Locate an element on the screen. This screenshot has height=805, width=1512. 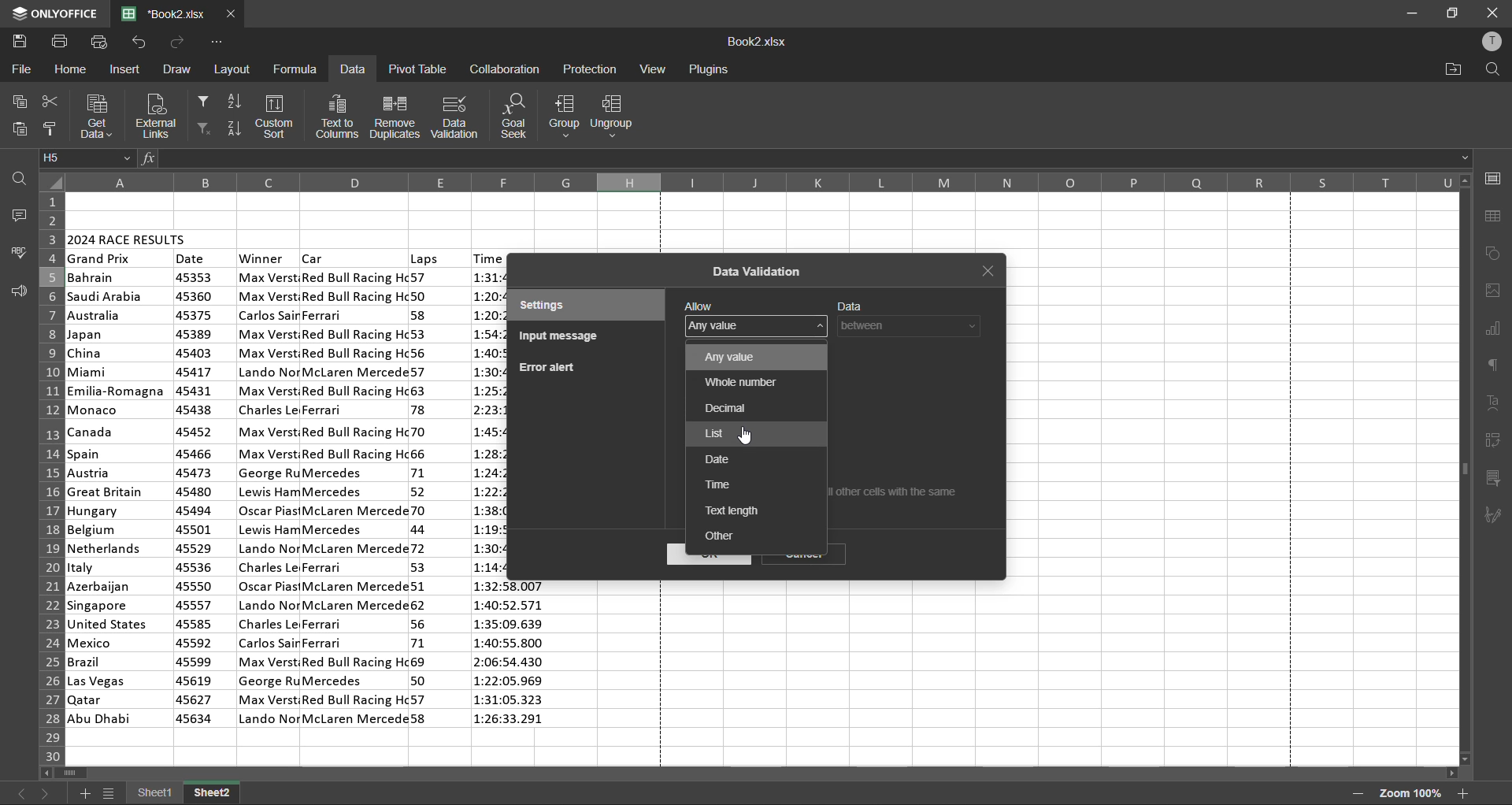
get data is located at coordinates (95, 116).